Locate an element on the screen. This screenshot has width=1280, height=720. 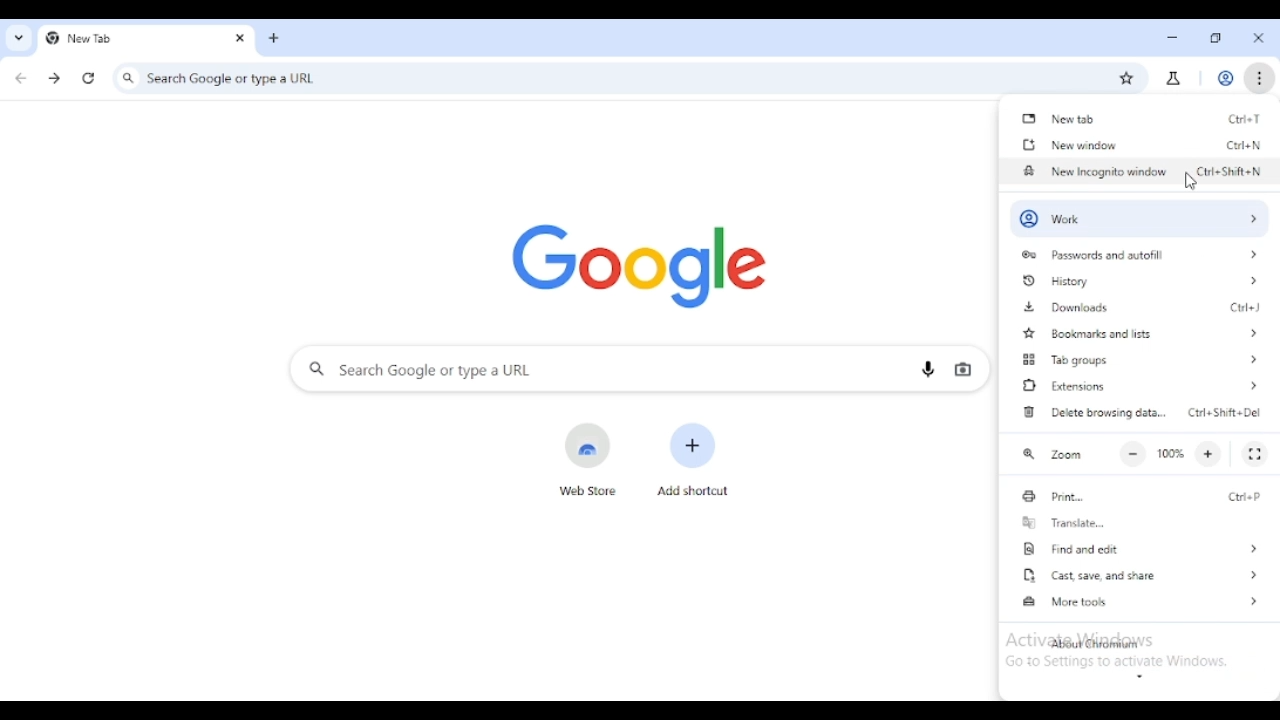
translate is located at coordinates (1061, 521).